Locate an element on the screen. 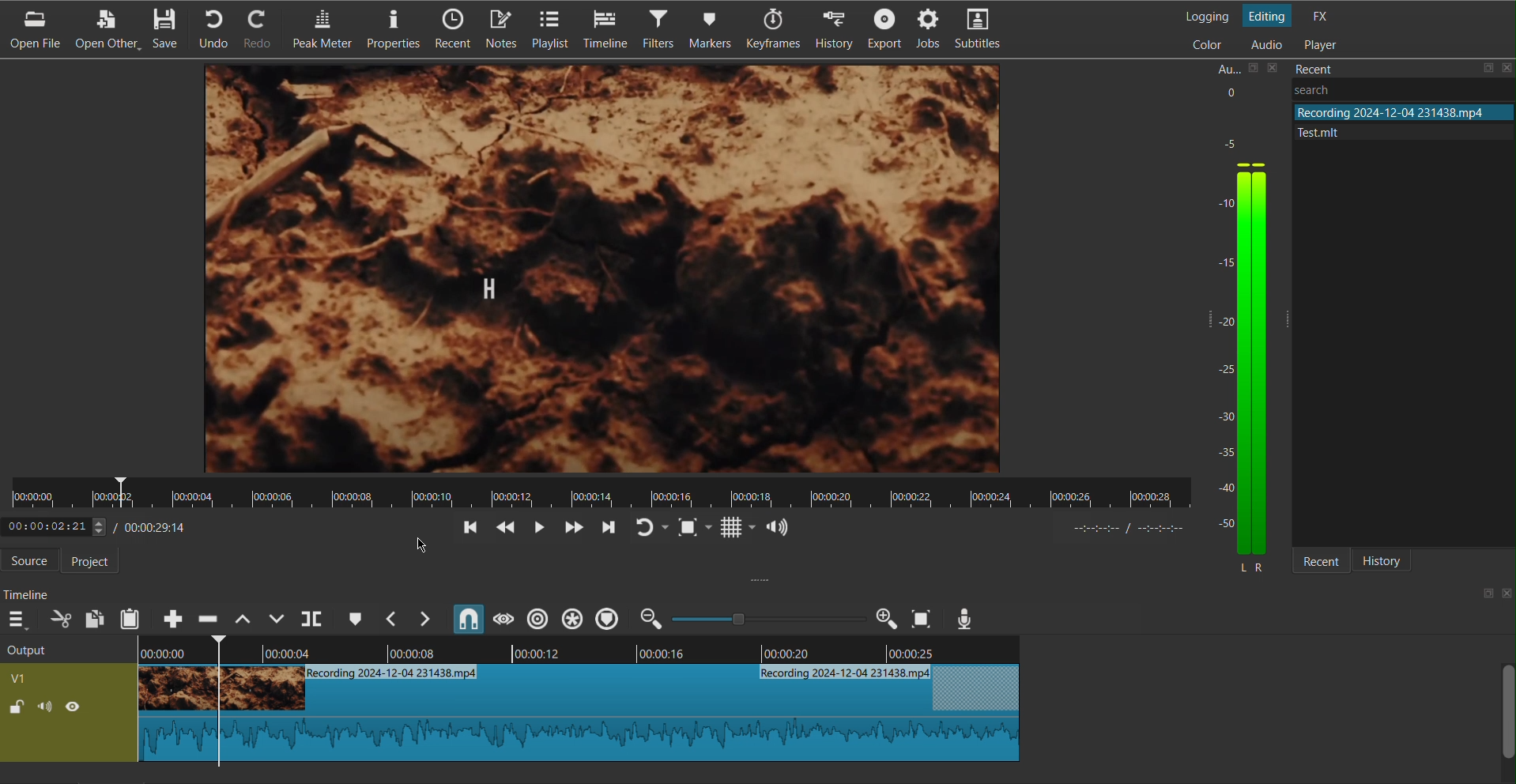 Image resolution: width=1516 pixels, height=784 pixels. Player is located at coordinates (1319, 43).